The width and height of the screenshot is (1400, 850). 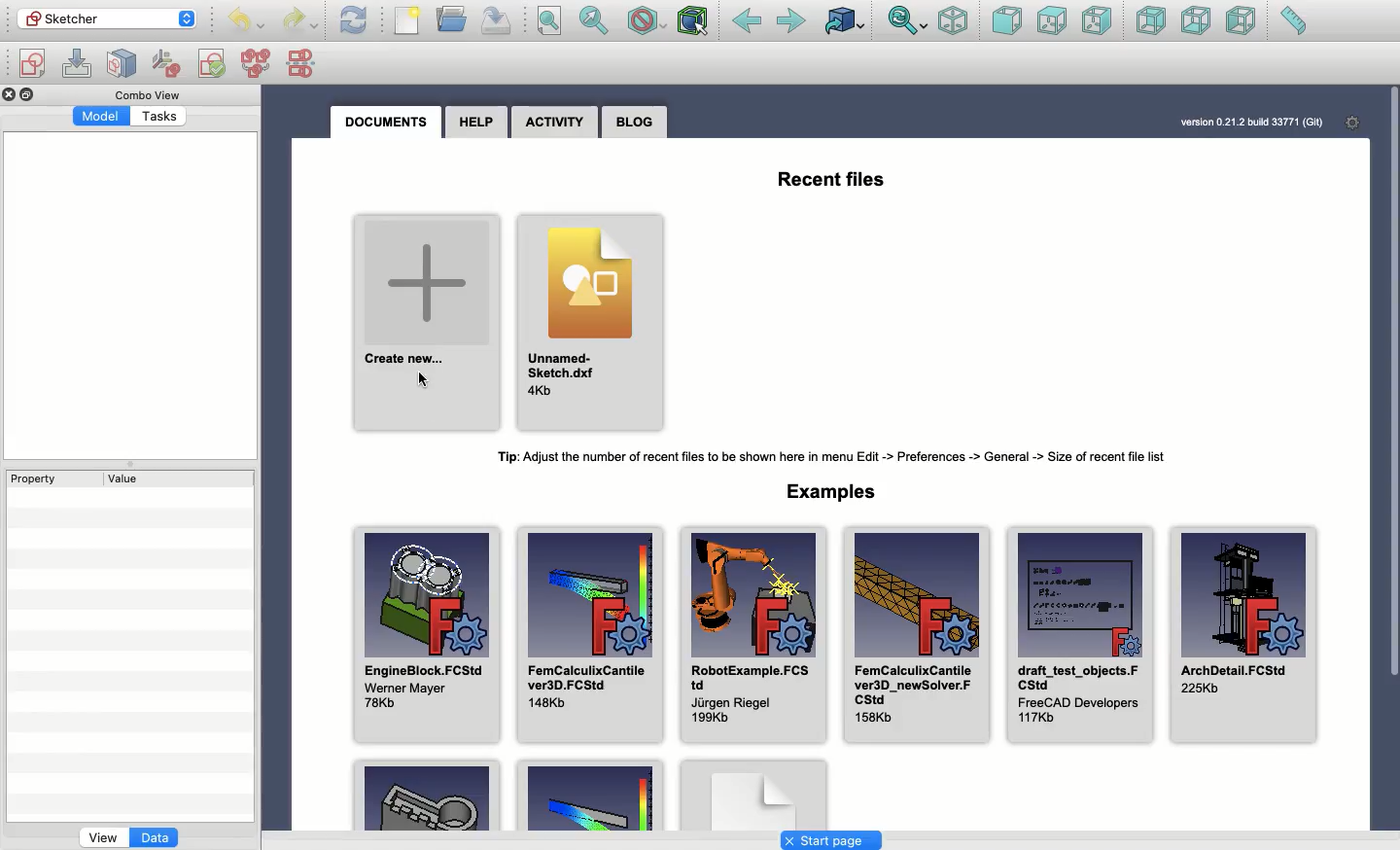 What do you see at coordinates (831, 455) in the screenshot?
I see `Tip: Adjust the number of recent files to be shown here in menu Edit -> Preferences -> General -> Size of recent file list` at bounding box center [831, 455].